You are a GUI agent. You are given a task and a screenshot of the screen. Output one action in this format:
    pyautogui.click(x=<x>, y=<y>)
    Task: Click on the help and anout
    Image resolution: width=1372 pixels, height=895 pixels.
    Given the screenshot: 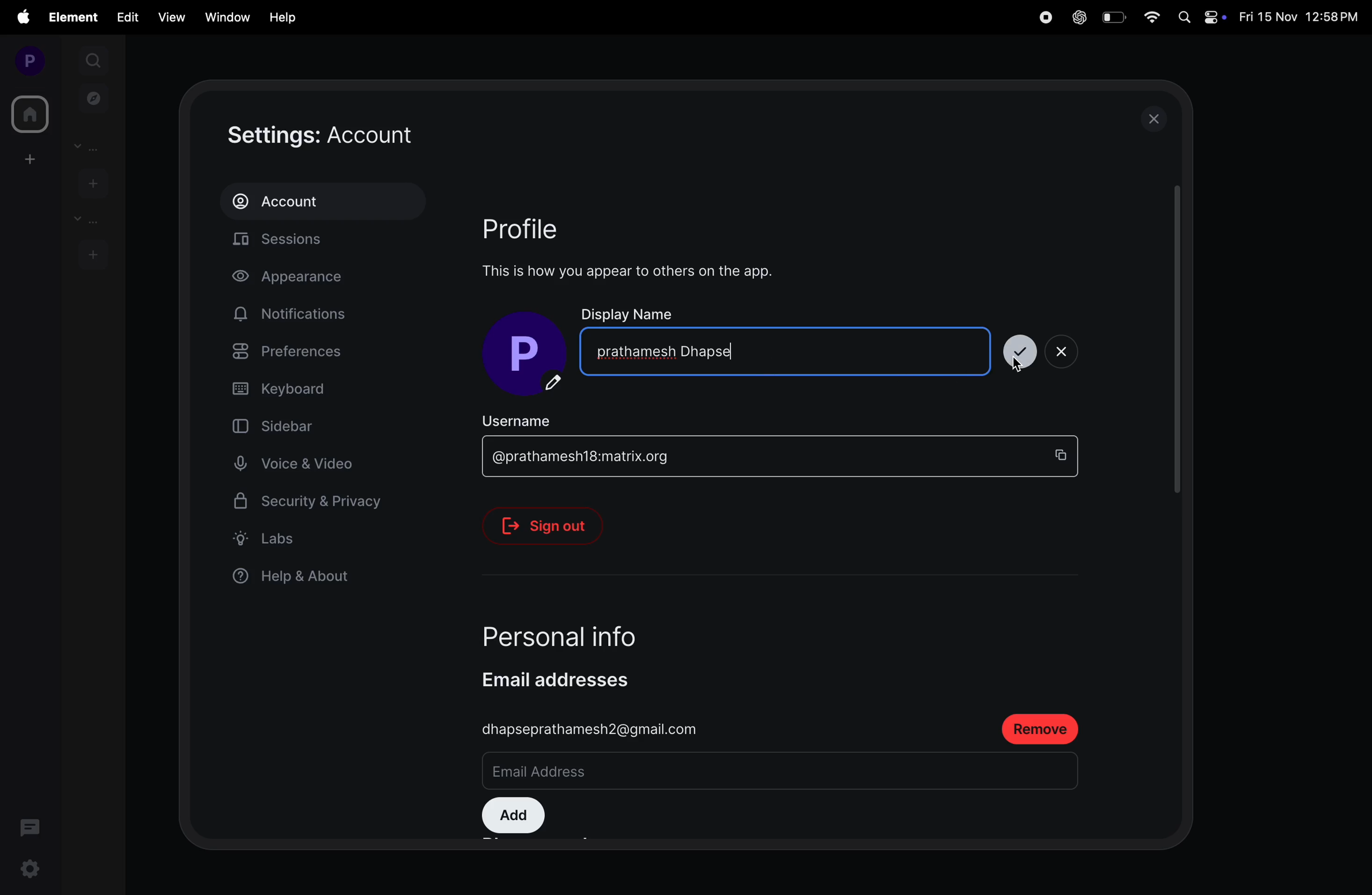 What is the action you would take?
    pyautogui.click(x=298, y=578)
    